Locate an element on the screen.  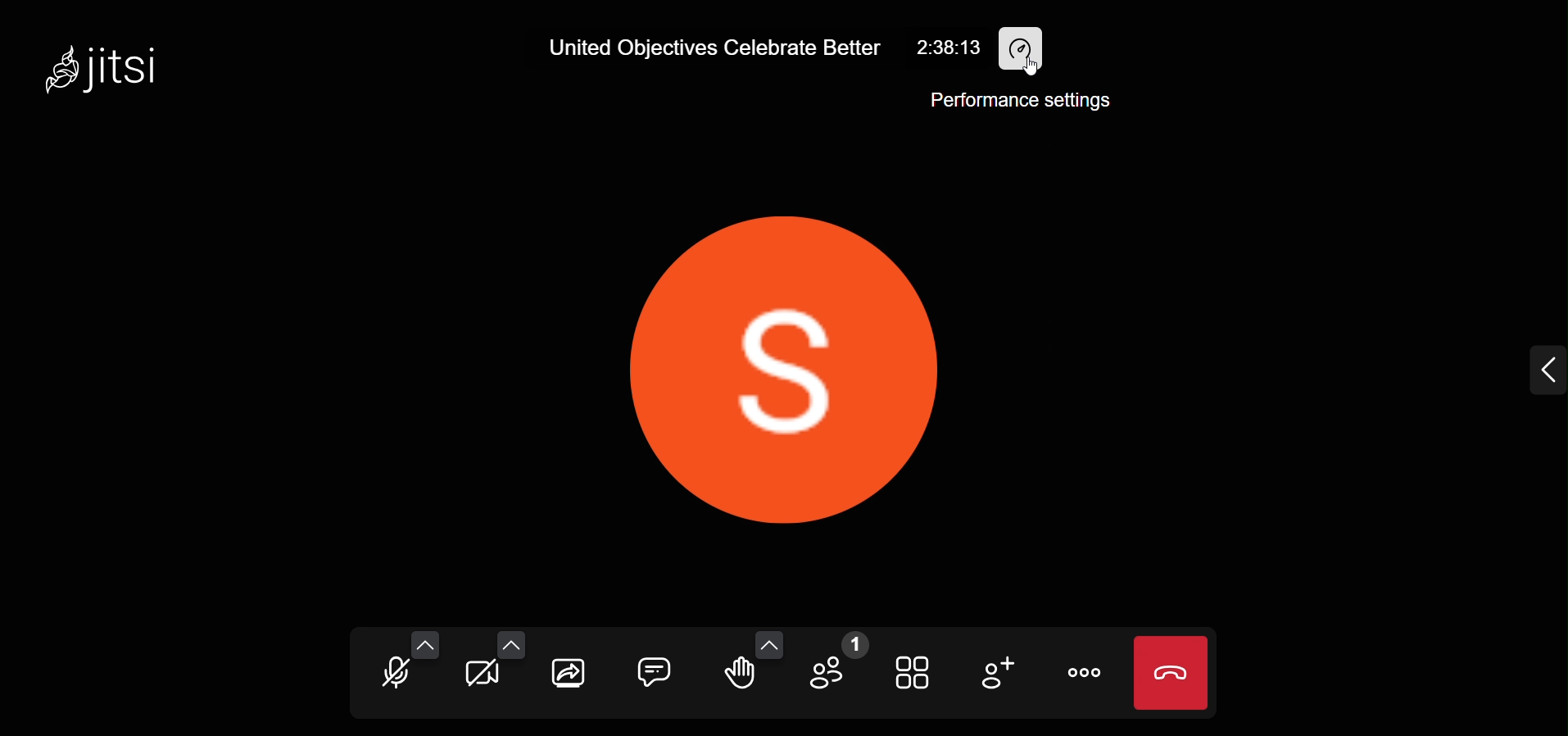
expand is located at coordinates (1543, 367).